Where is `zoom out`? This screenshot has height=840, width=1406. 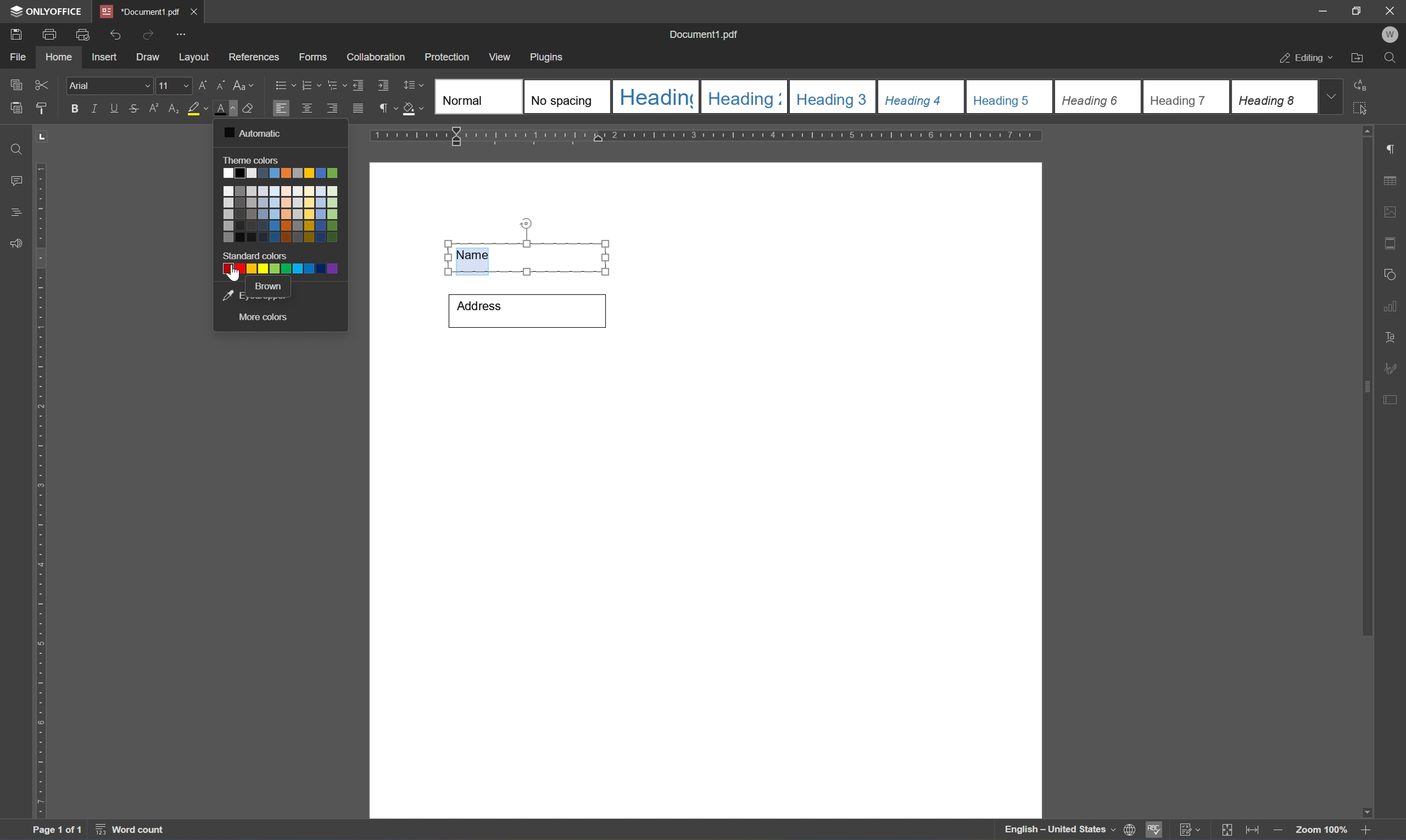
zoom out is located at coordinates (1369, 830).